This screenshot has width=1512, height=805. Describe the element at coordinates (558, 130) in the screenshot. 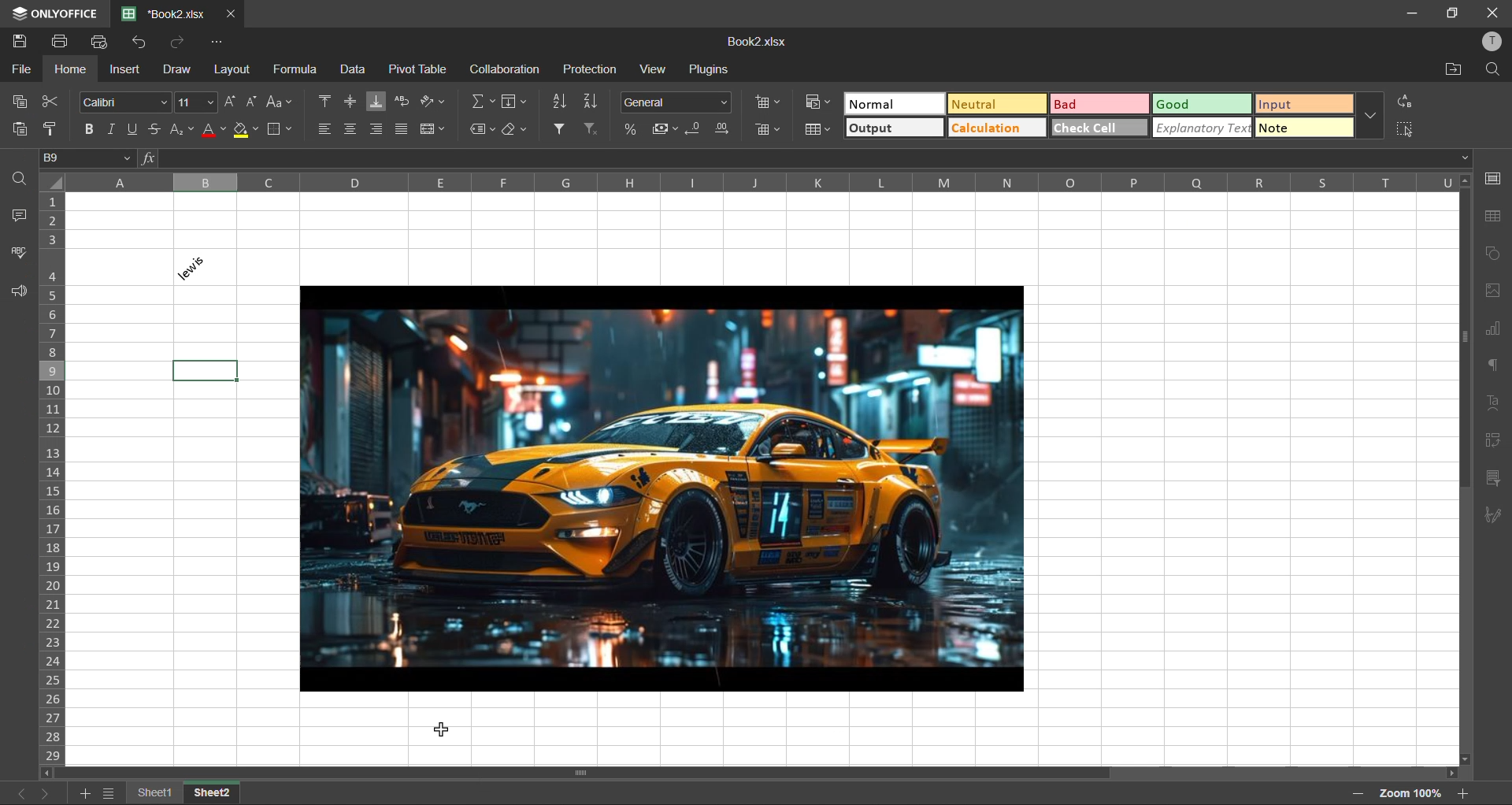

I see `filter` at that location.